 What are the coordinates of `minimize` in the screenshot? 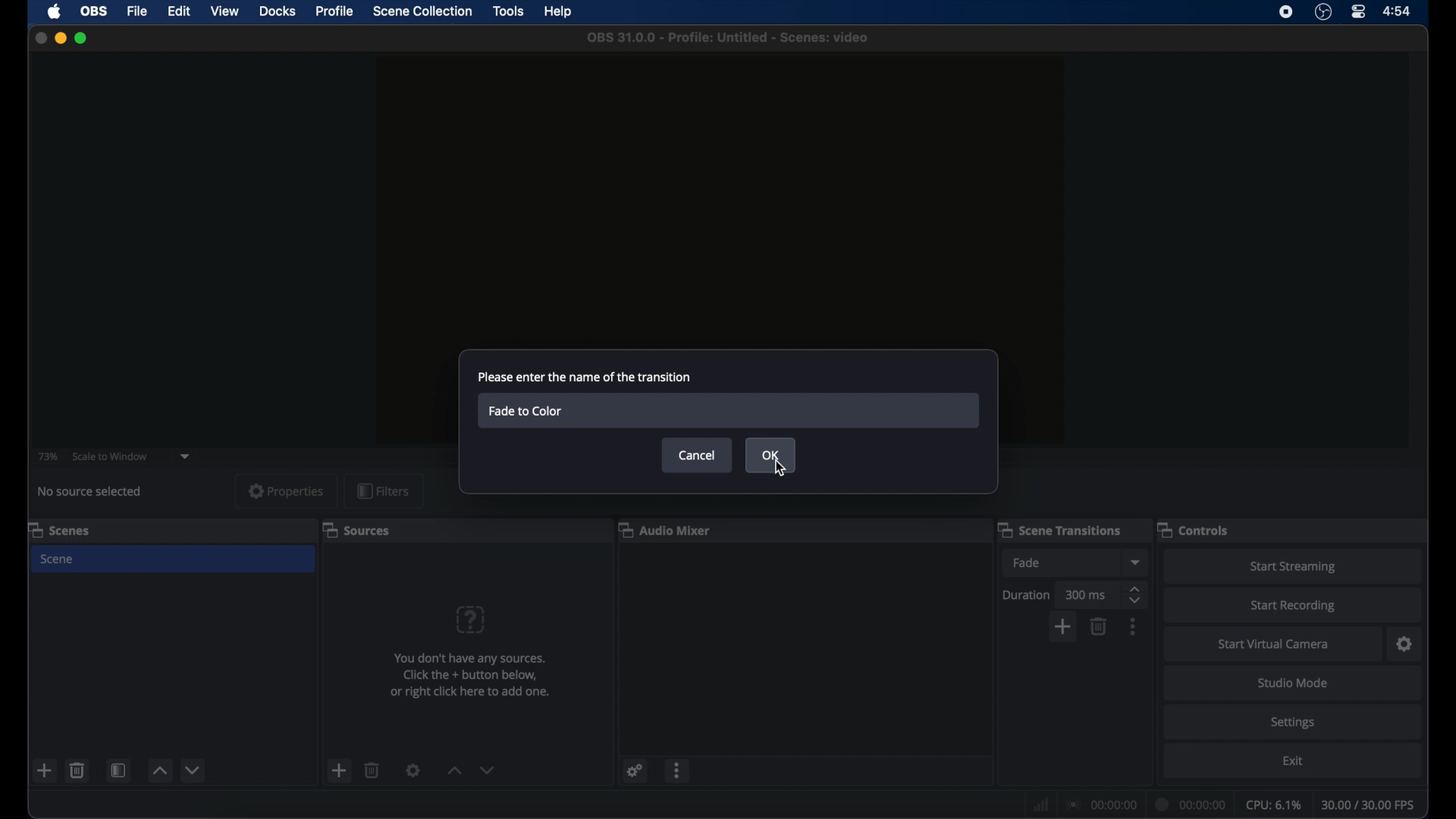 It's located at (60, 38).